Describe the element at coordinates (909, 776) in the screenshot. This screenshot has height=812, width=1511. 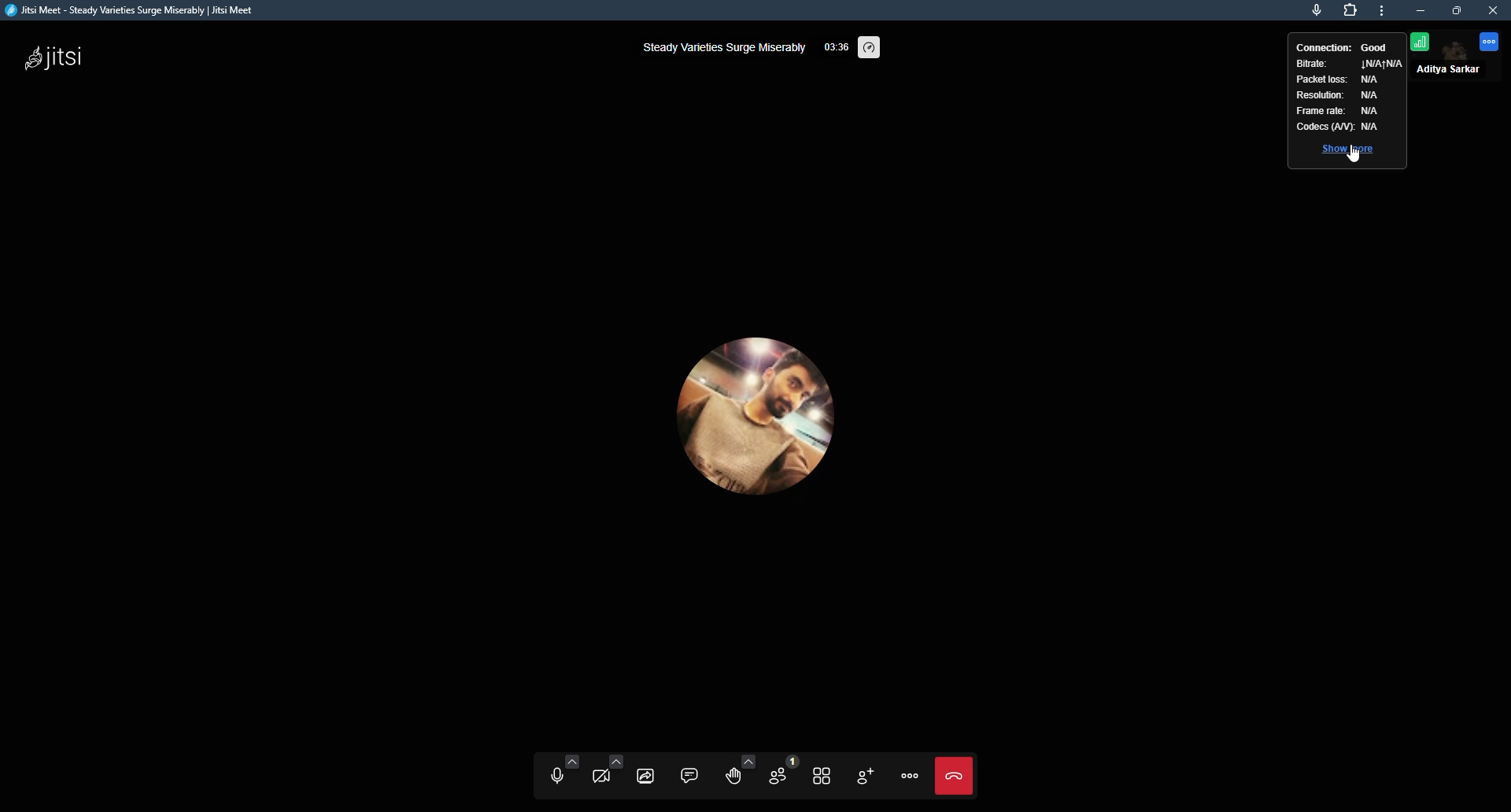
I see `more actions` at that location.